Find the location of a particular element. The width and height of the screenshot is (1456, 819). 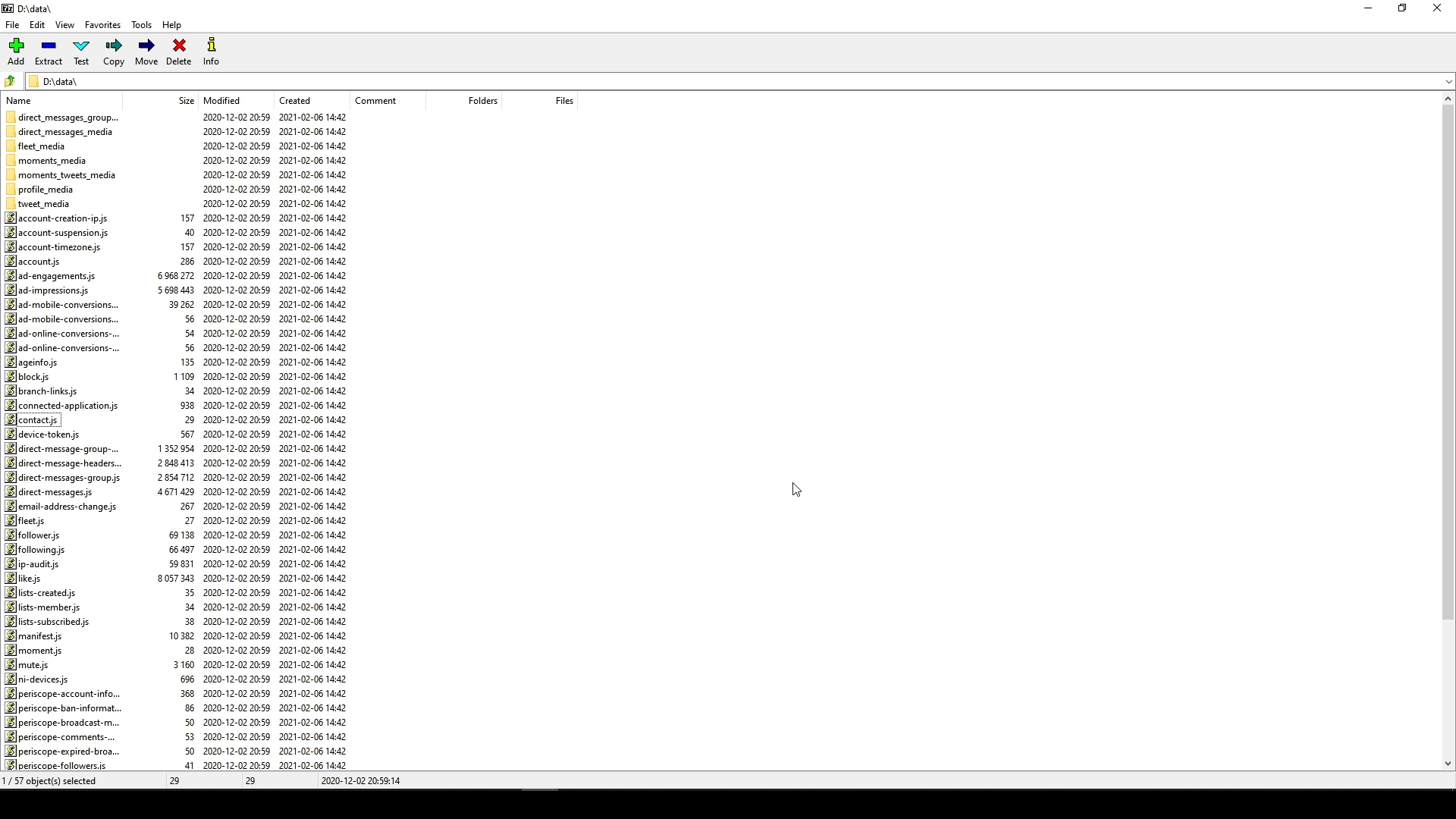

ad-mobile-conversions is located at coordinates (61, 305).